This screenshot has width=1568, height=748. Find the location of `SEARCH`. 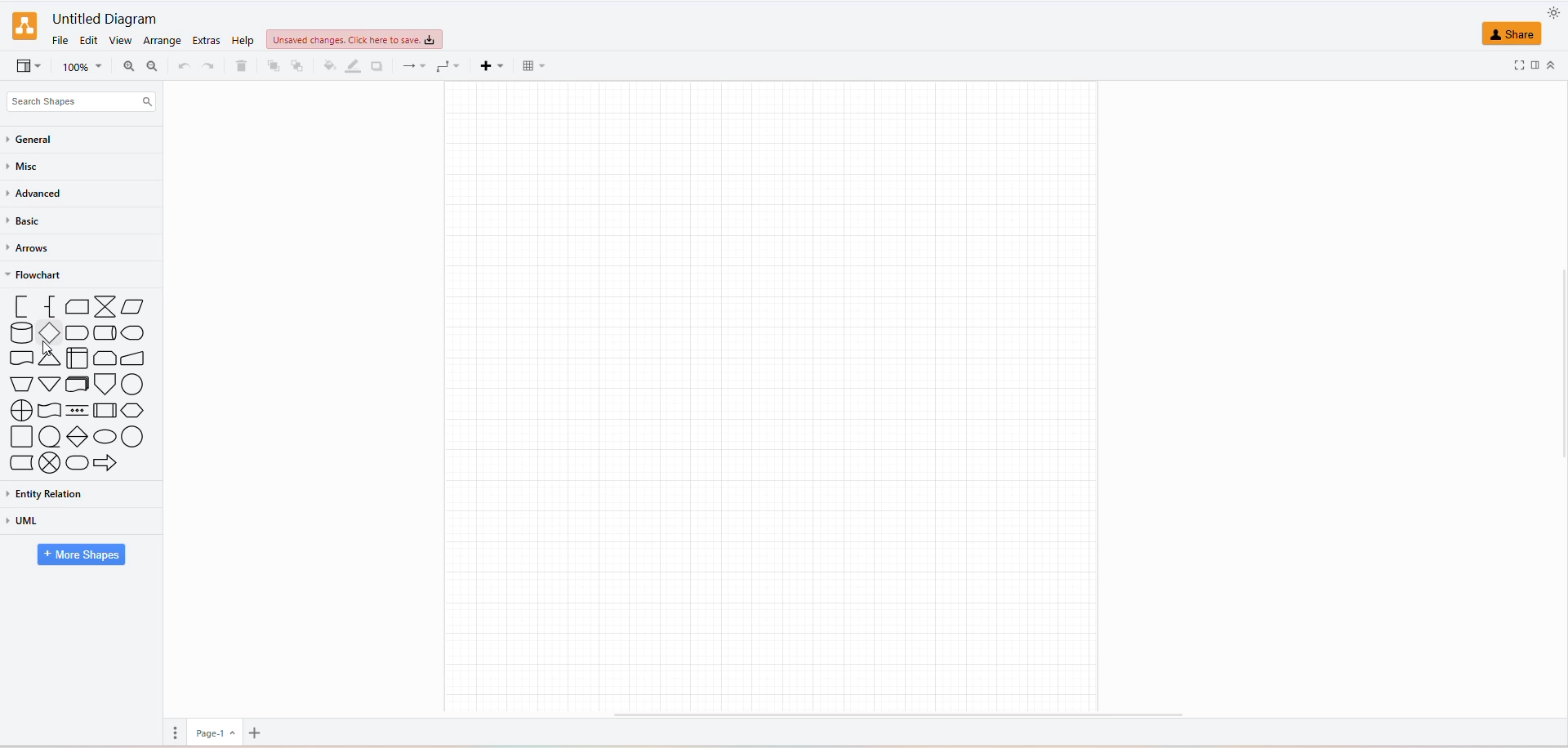

SEARCH is located at coordinates (78, 99).